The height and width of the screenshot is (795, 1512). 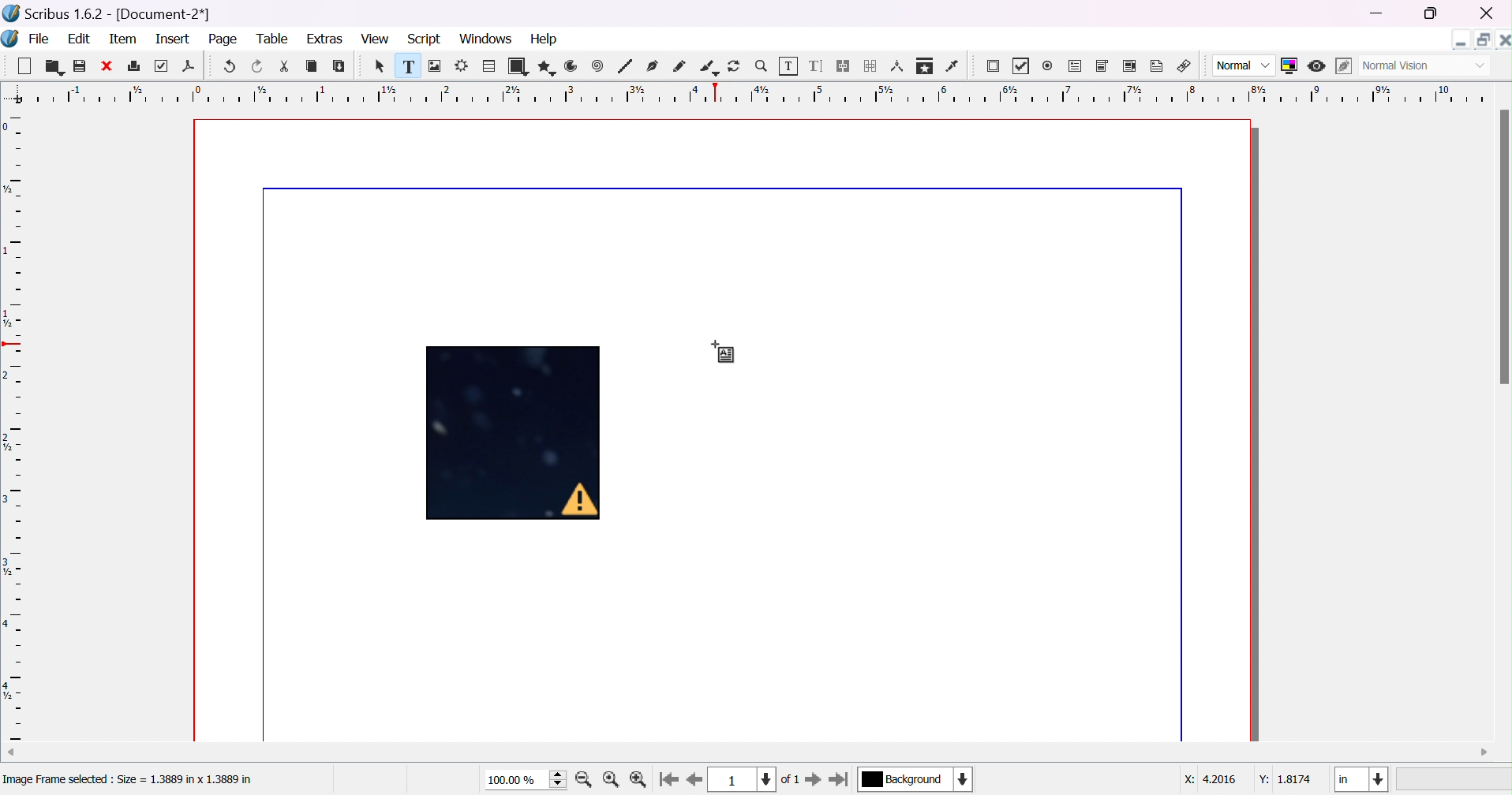 I want to click on table, so click(x=488, y=64).